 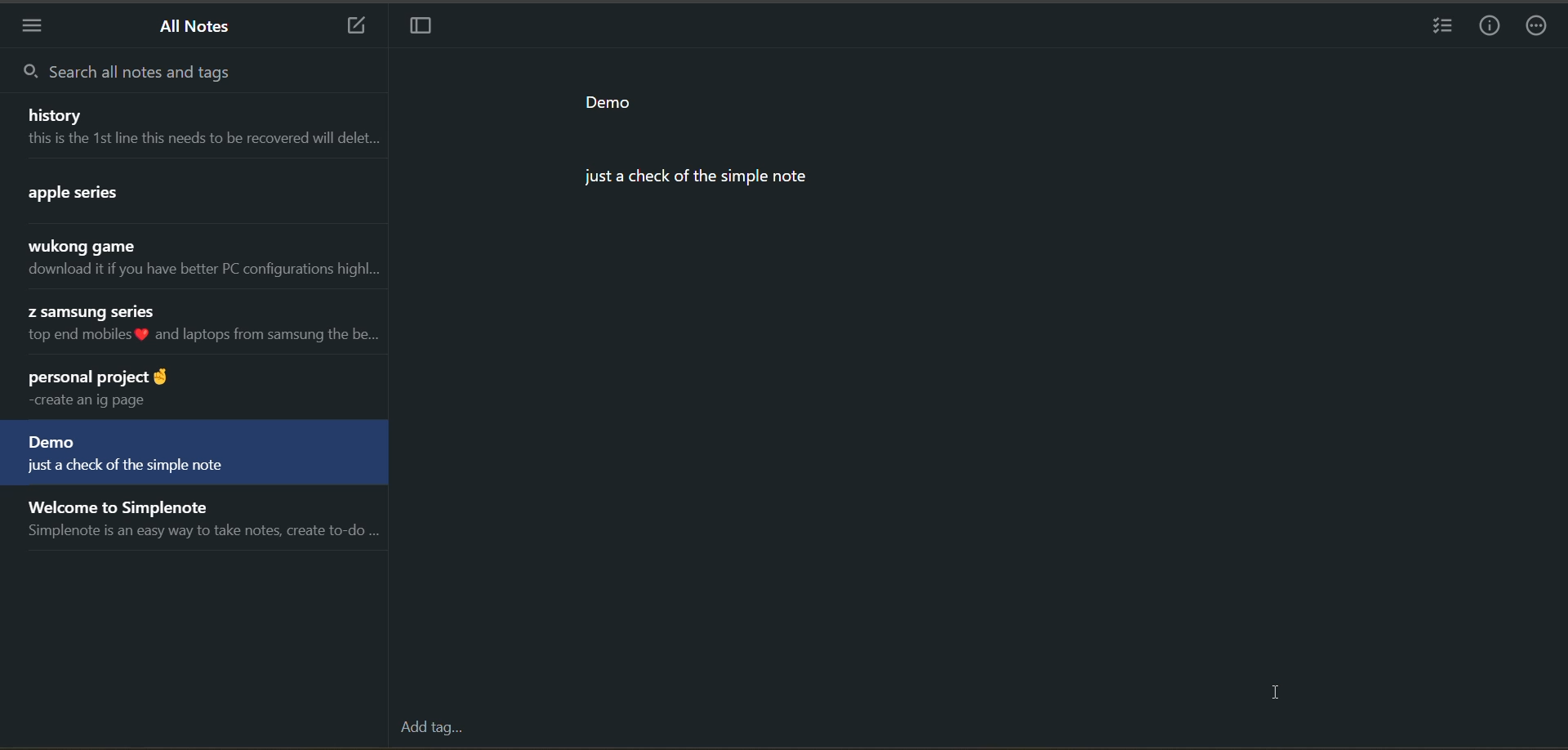 What do you see at coordinates (718, 147) in the screenshot?
I see `data from current note` at bounding box center [718, 147].